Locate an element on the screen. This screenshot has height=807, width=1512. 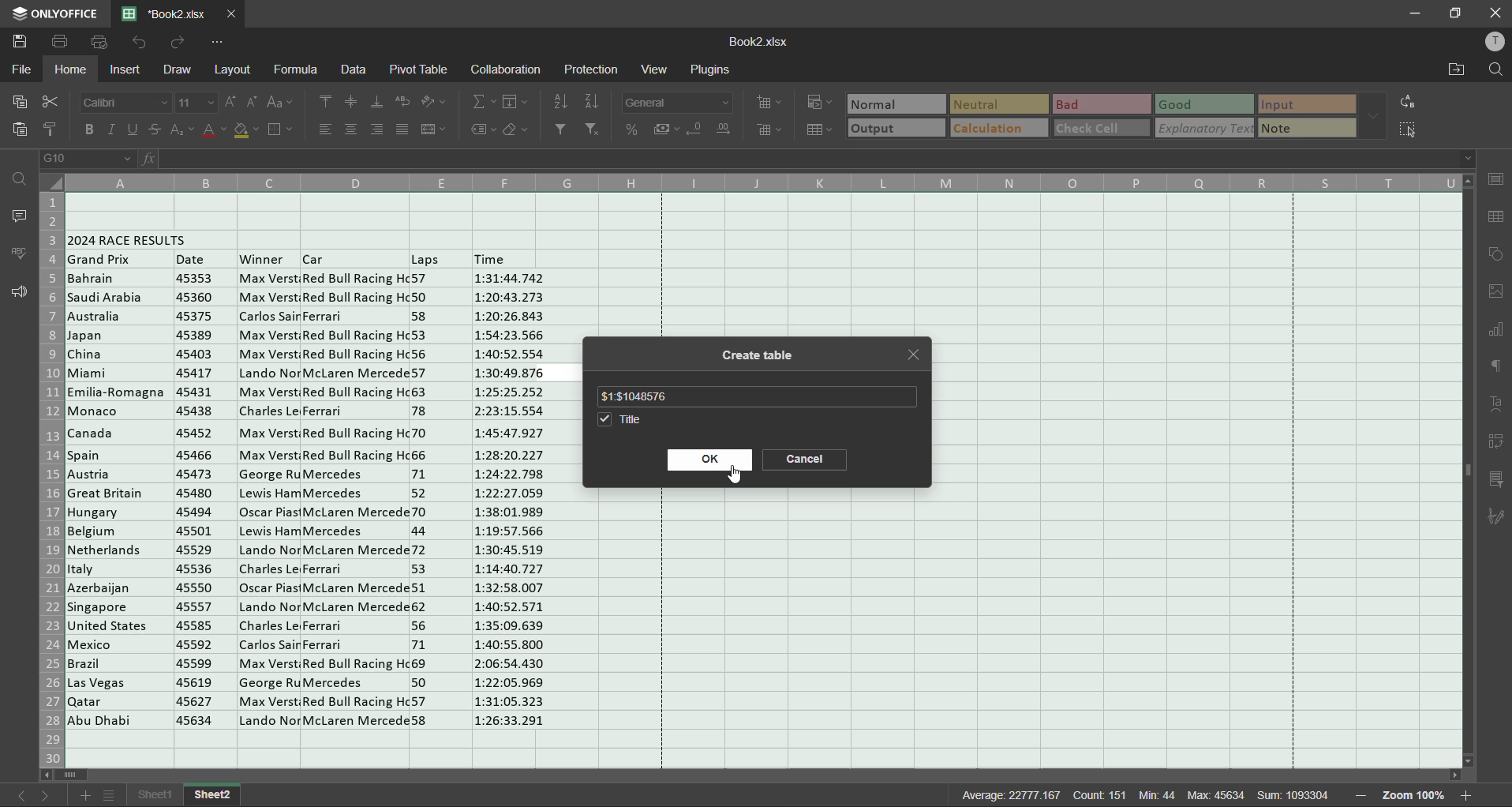
change case is located at coordinates (279, 103).